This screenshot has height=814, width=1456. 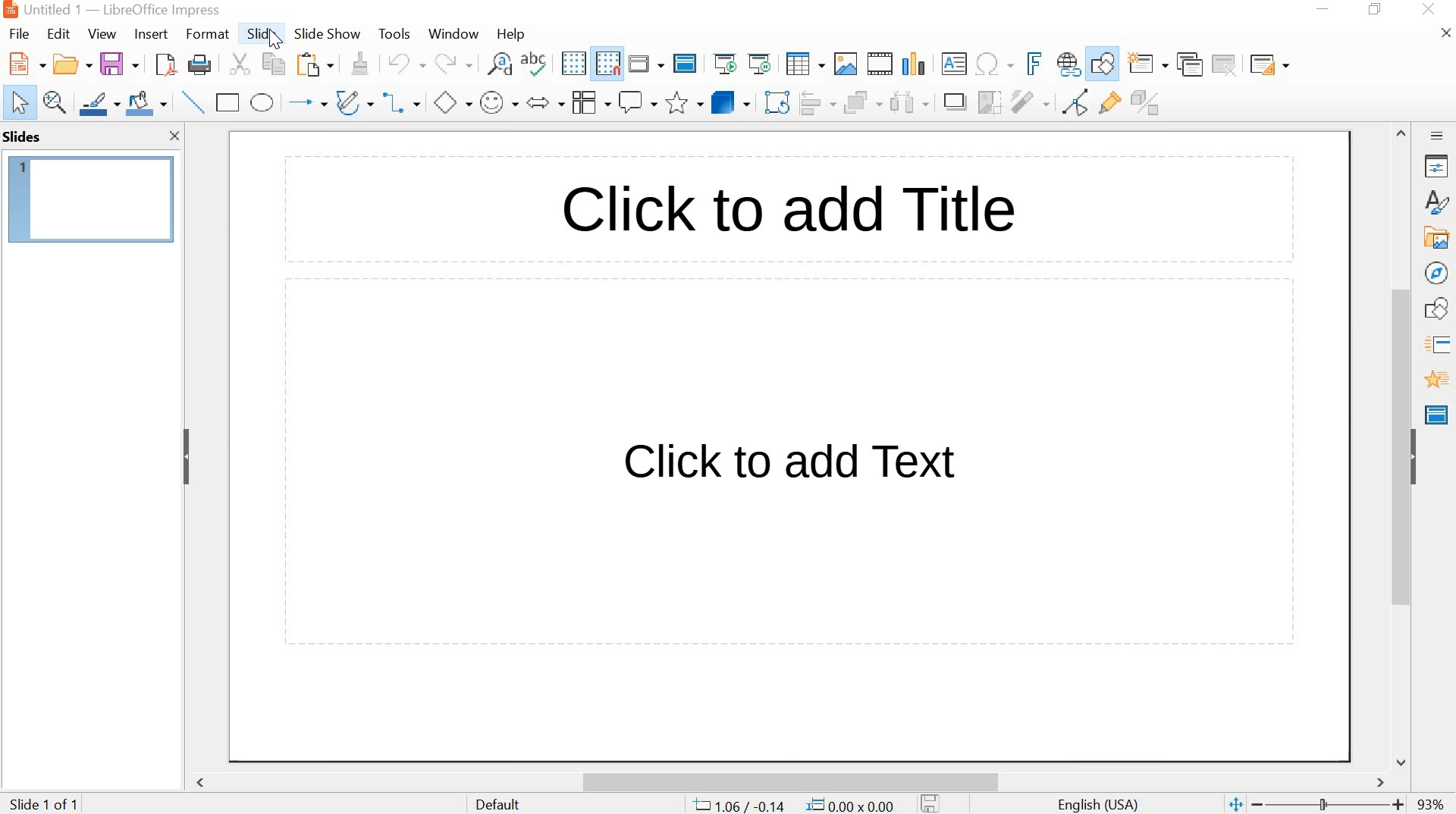 I want to click on callout shapes, so click(x=637, y=102).